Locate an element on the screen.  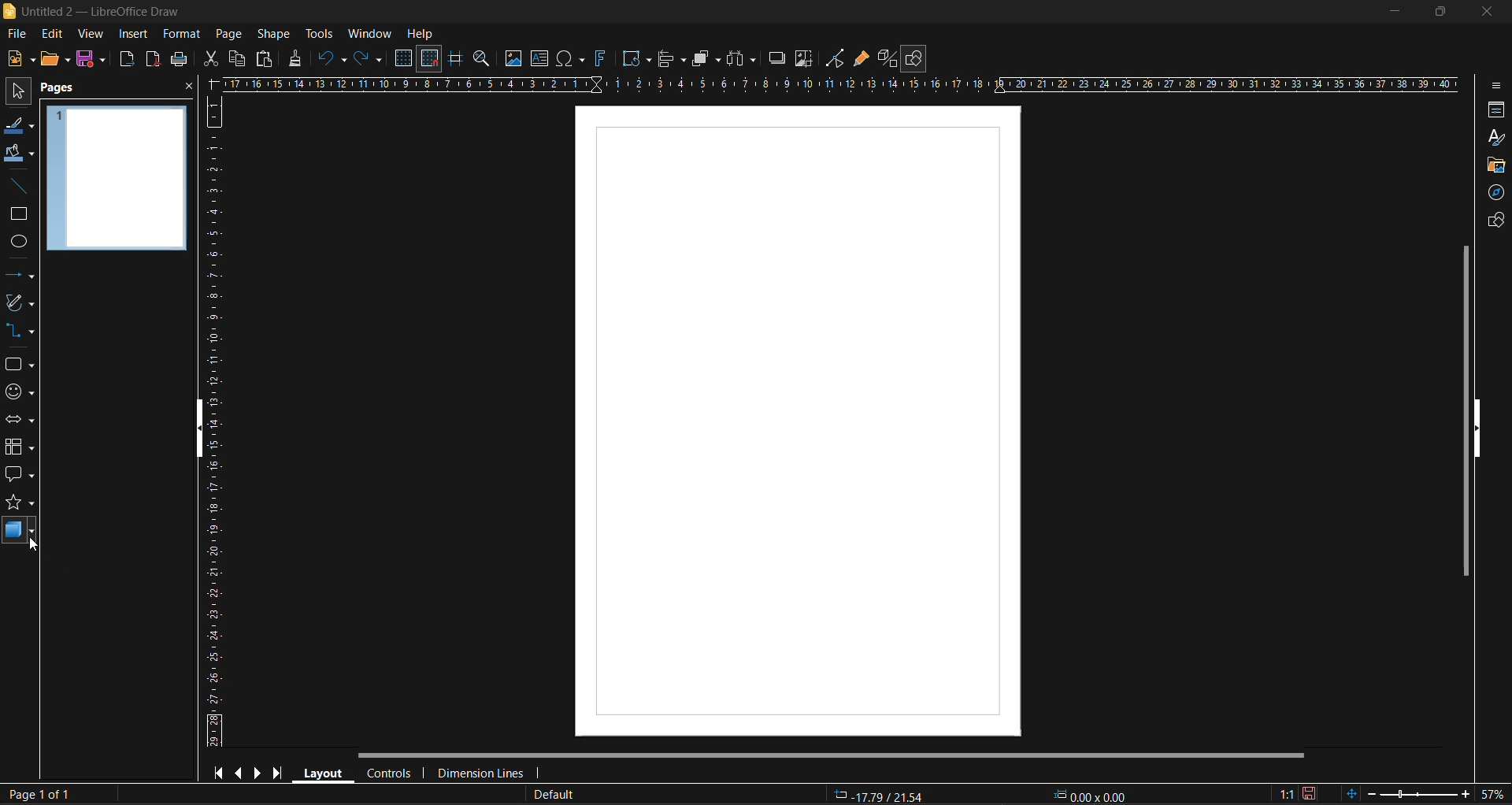
connectors is located at coordinates (20, 332).